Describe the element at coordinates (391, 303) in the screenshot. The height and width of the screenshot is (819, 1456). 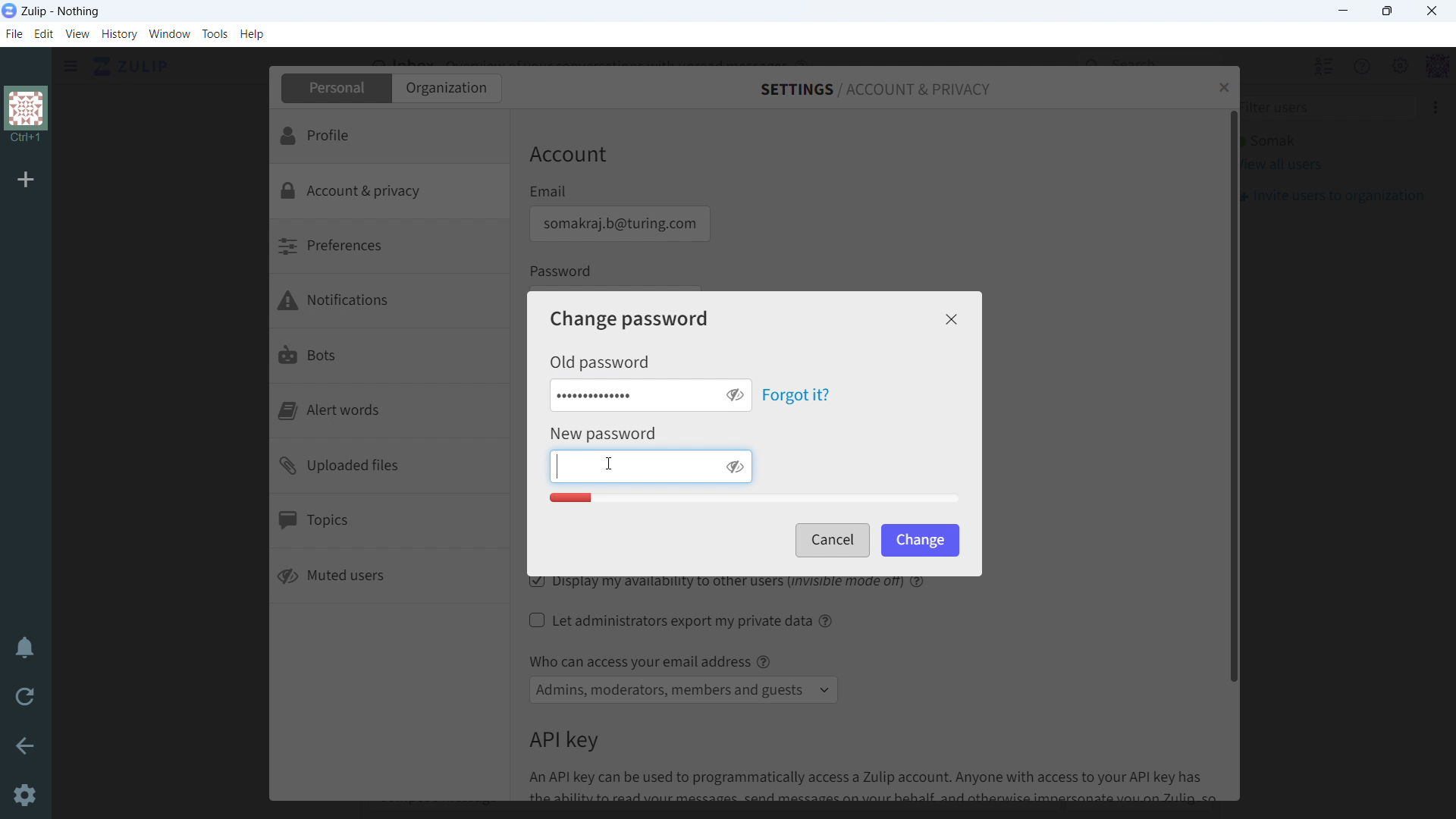
I see `notifications` at that location.